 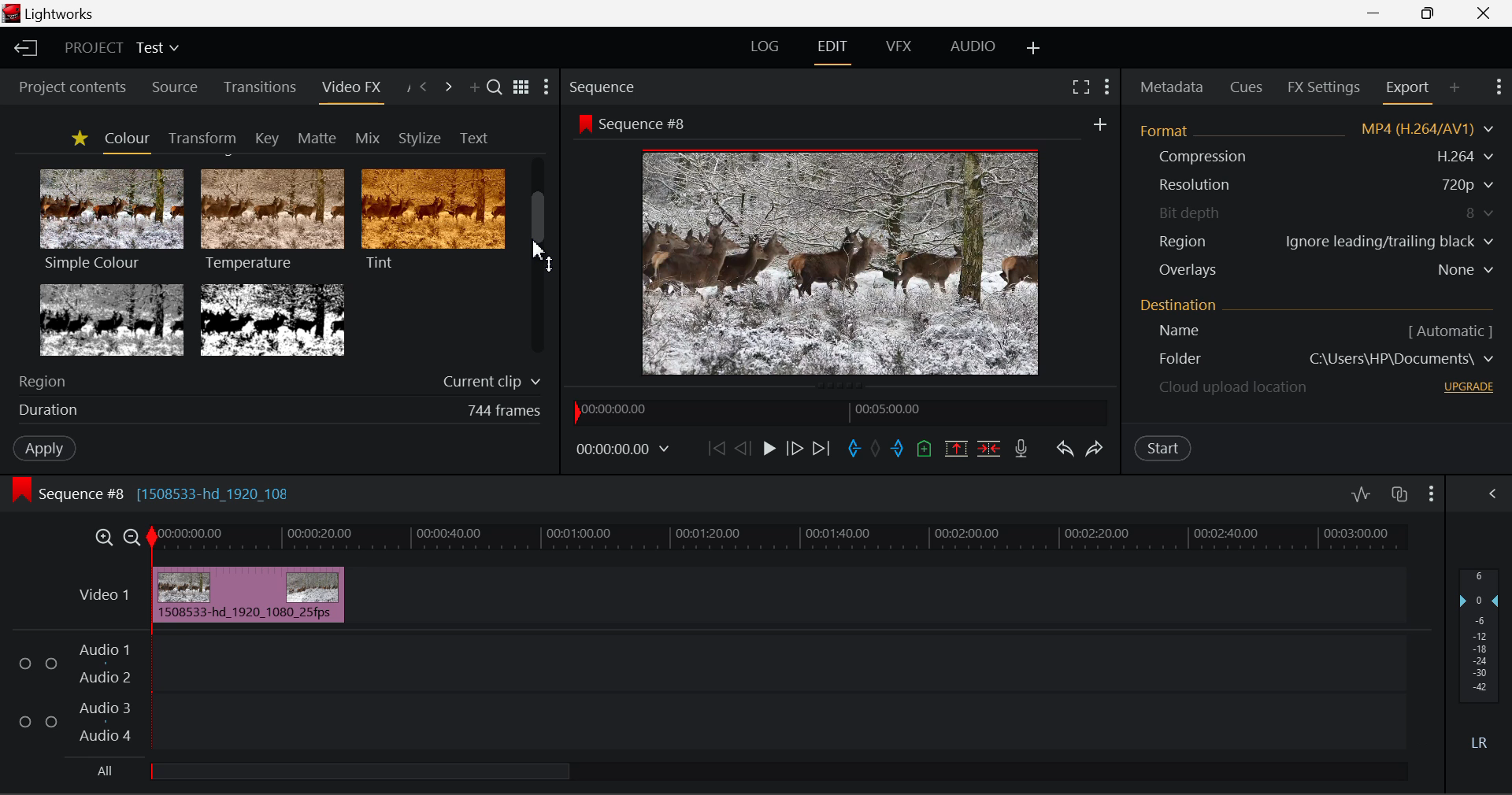 I want to click on Project contents, so click(x=65, y=89).